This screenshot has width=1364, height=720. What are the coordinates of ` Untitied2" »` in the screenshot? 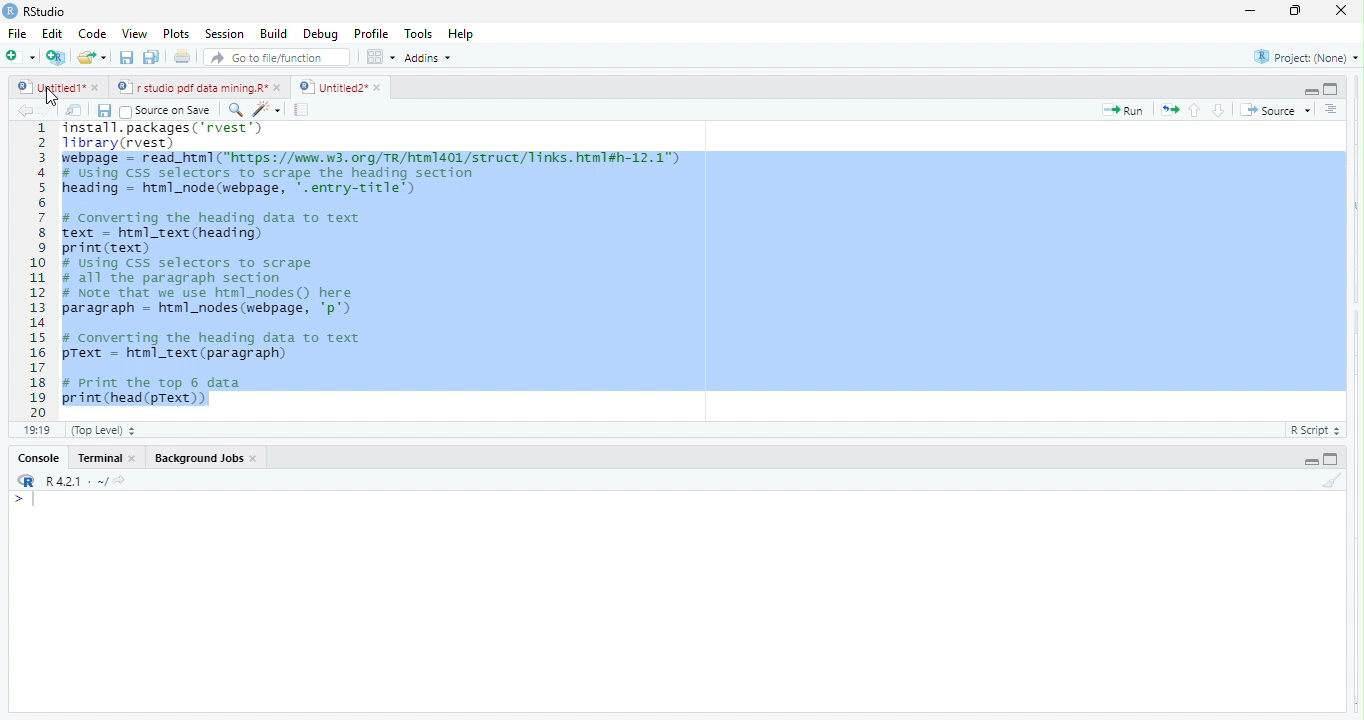 It's located at (337, 88).